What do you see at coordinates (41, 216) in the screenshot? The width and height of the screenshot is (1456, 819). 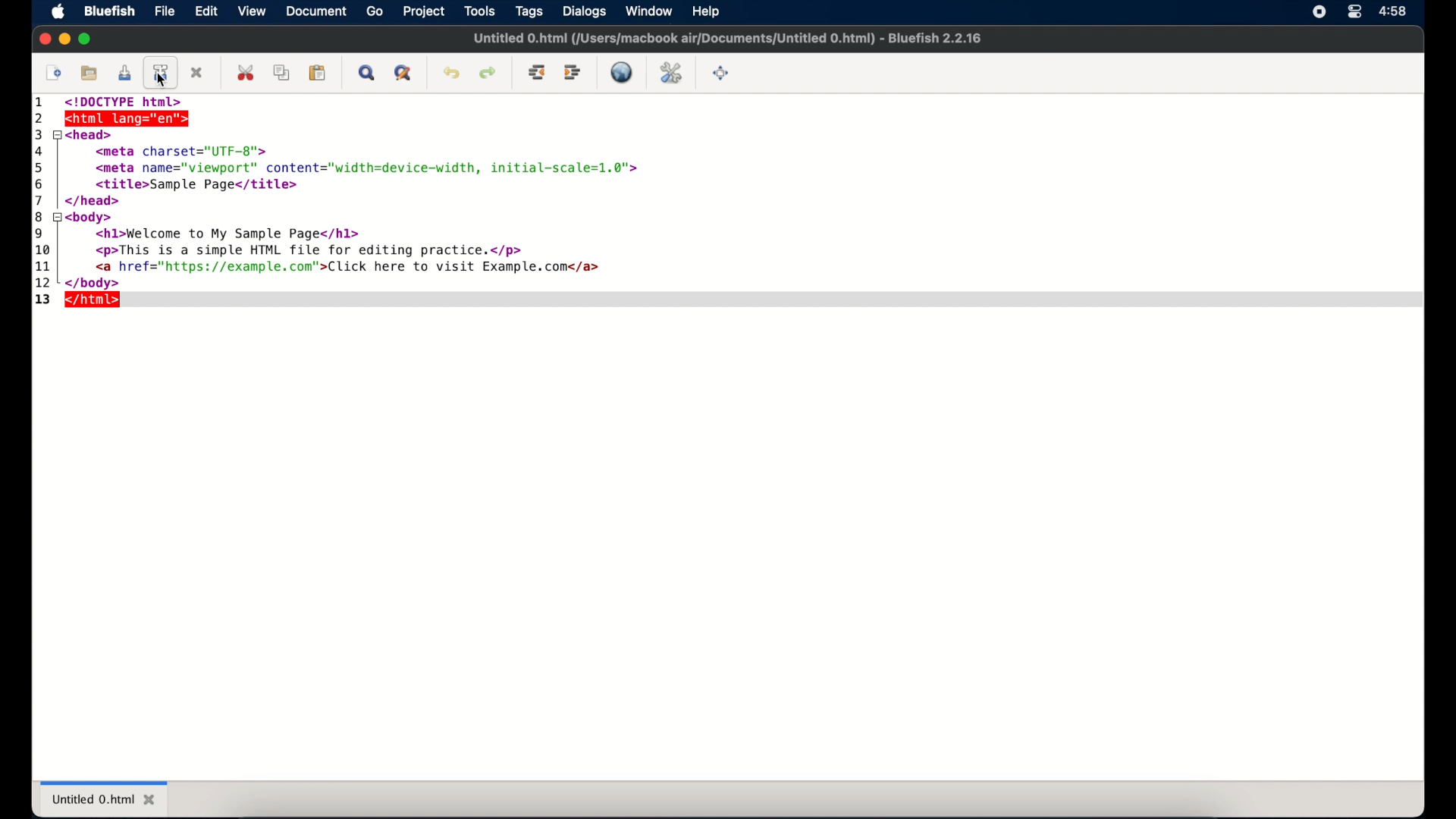 I see `8` at bounding box center [41, 216].